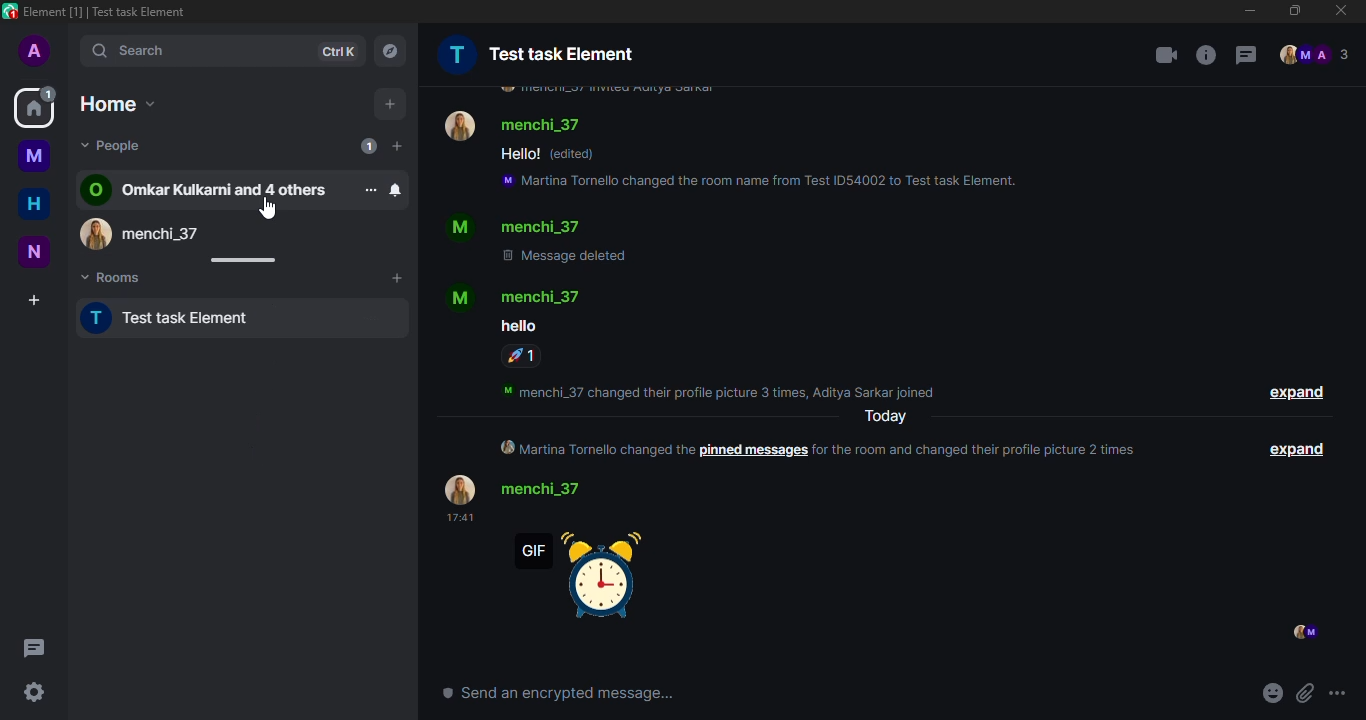  Describe the element at coordinates (146, 51) in the screenshot. I see `search` at that location.